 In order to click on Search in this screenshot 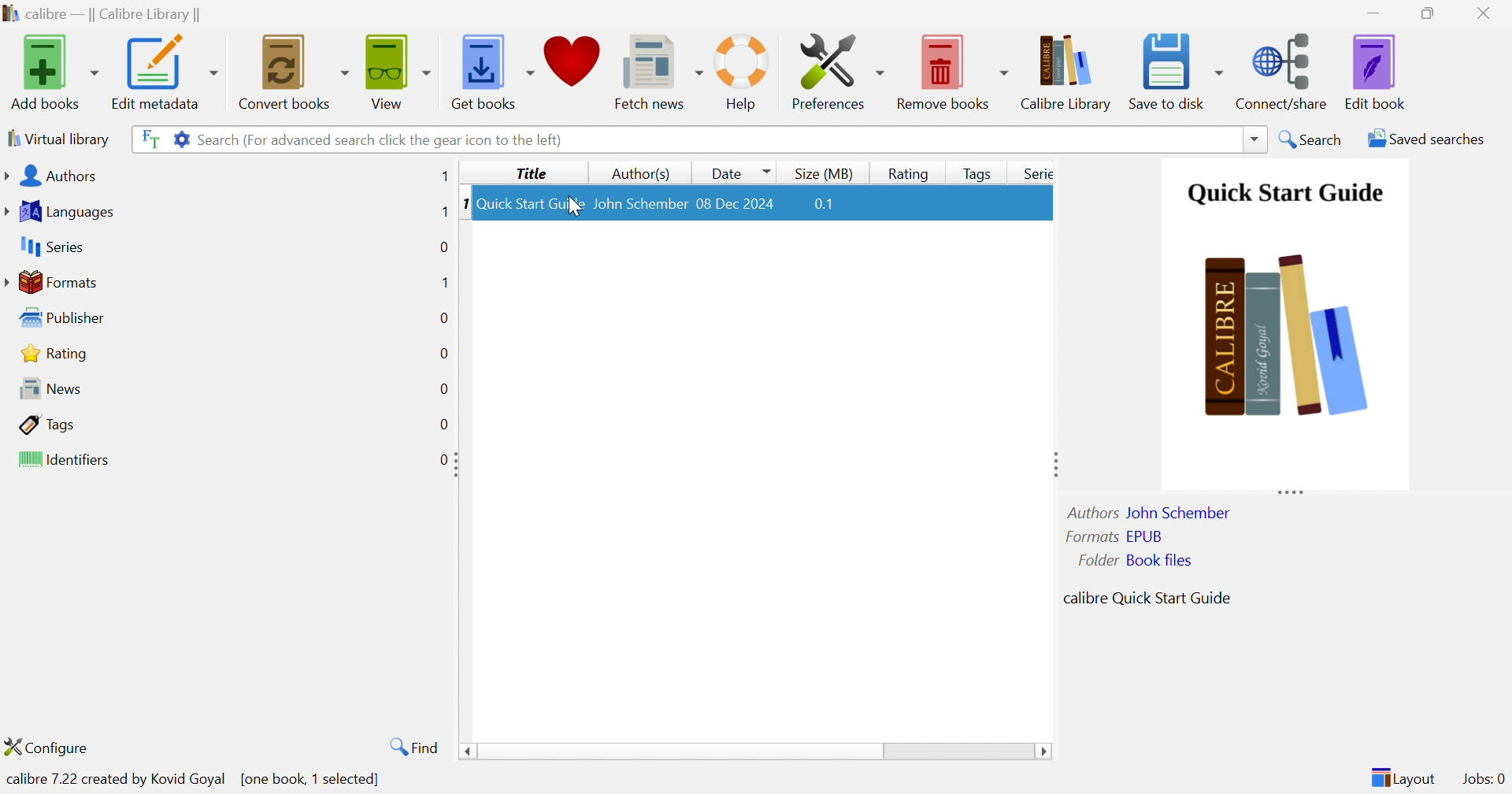, I will do `click(1312, 138)`.